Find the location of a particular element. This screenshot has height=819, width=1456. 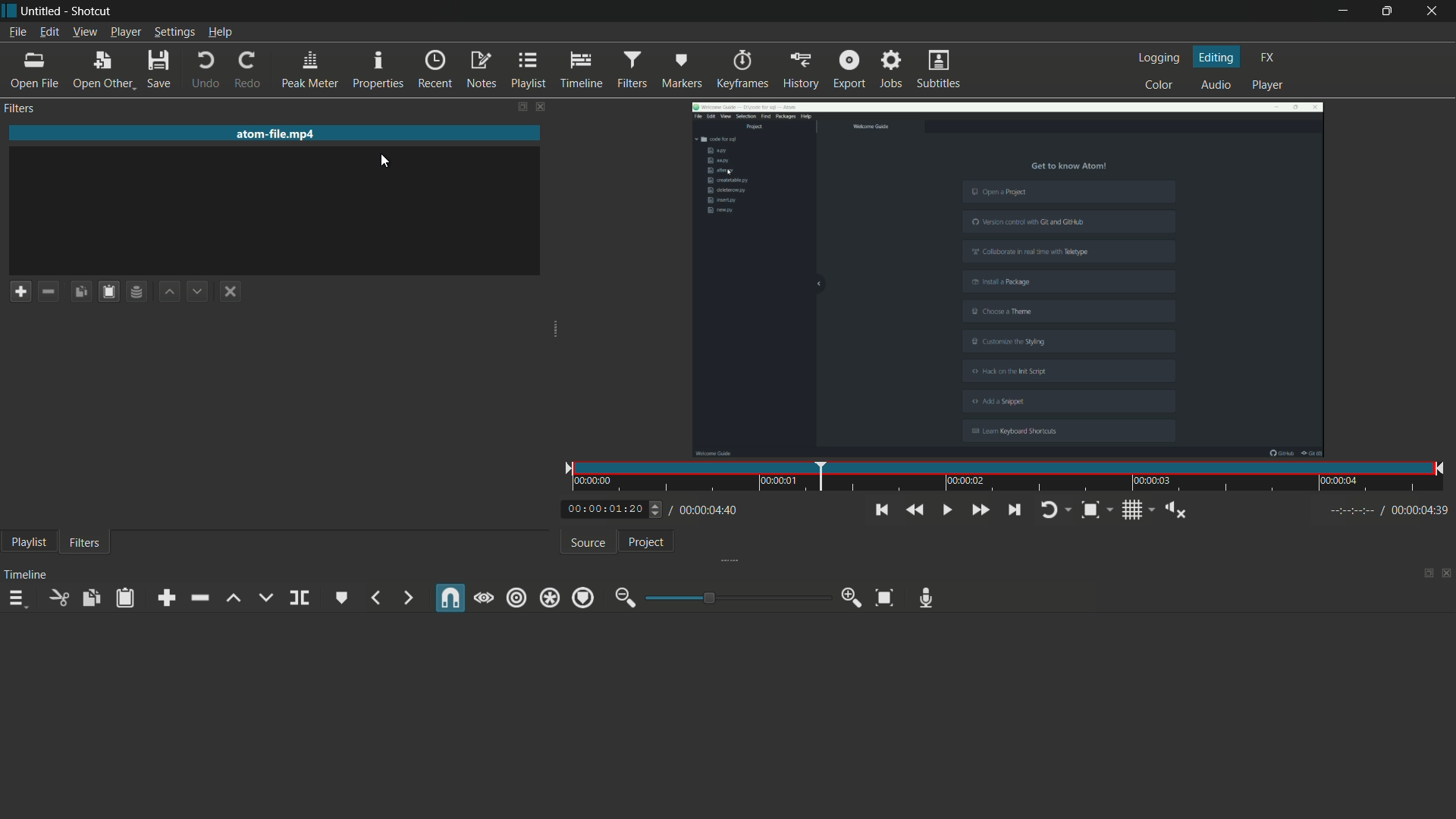

change layout is located at coordinates (1422, 574).